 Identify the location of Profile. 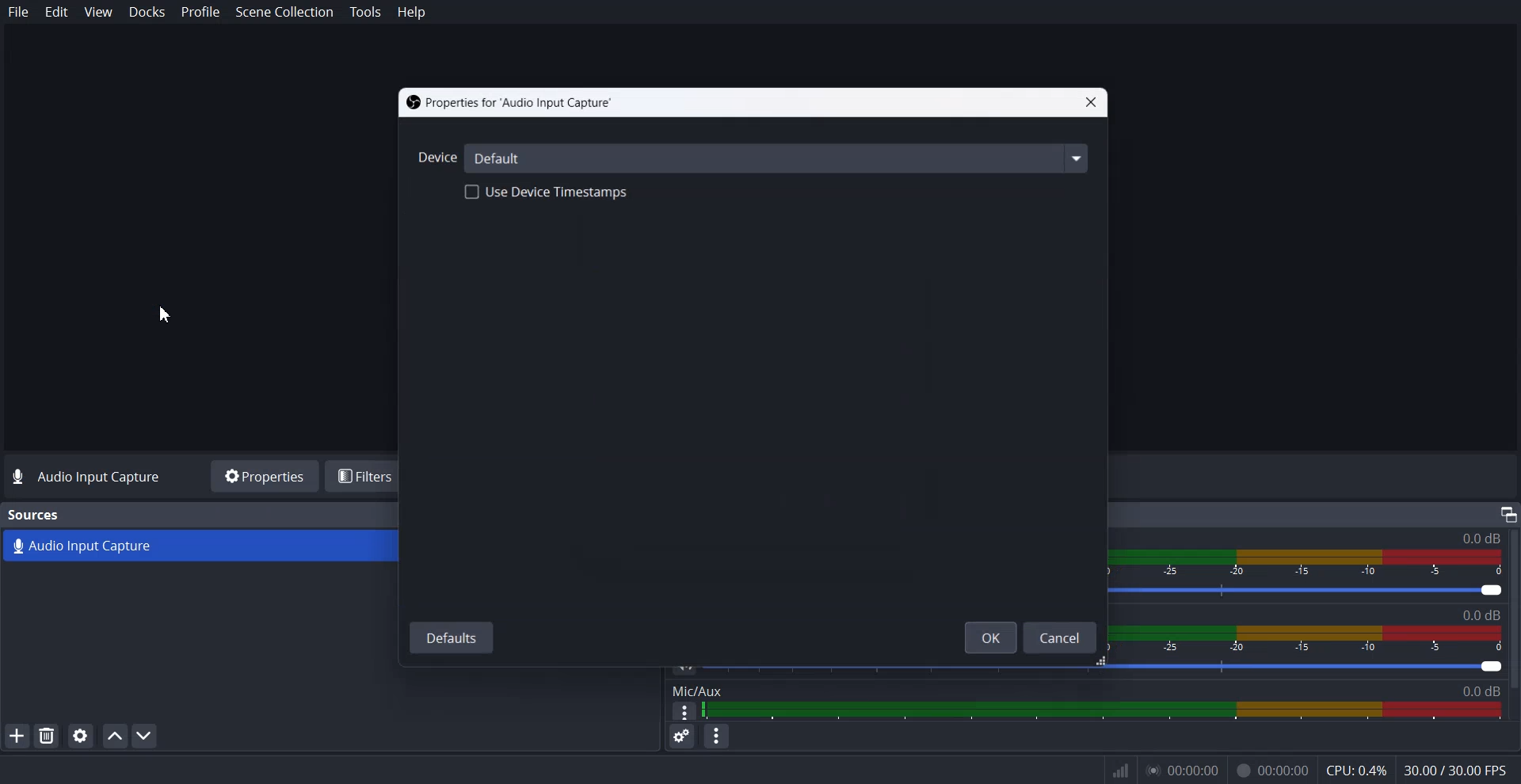
(200, 12).